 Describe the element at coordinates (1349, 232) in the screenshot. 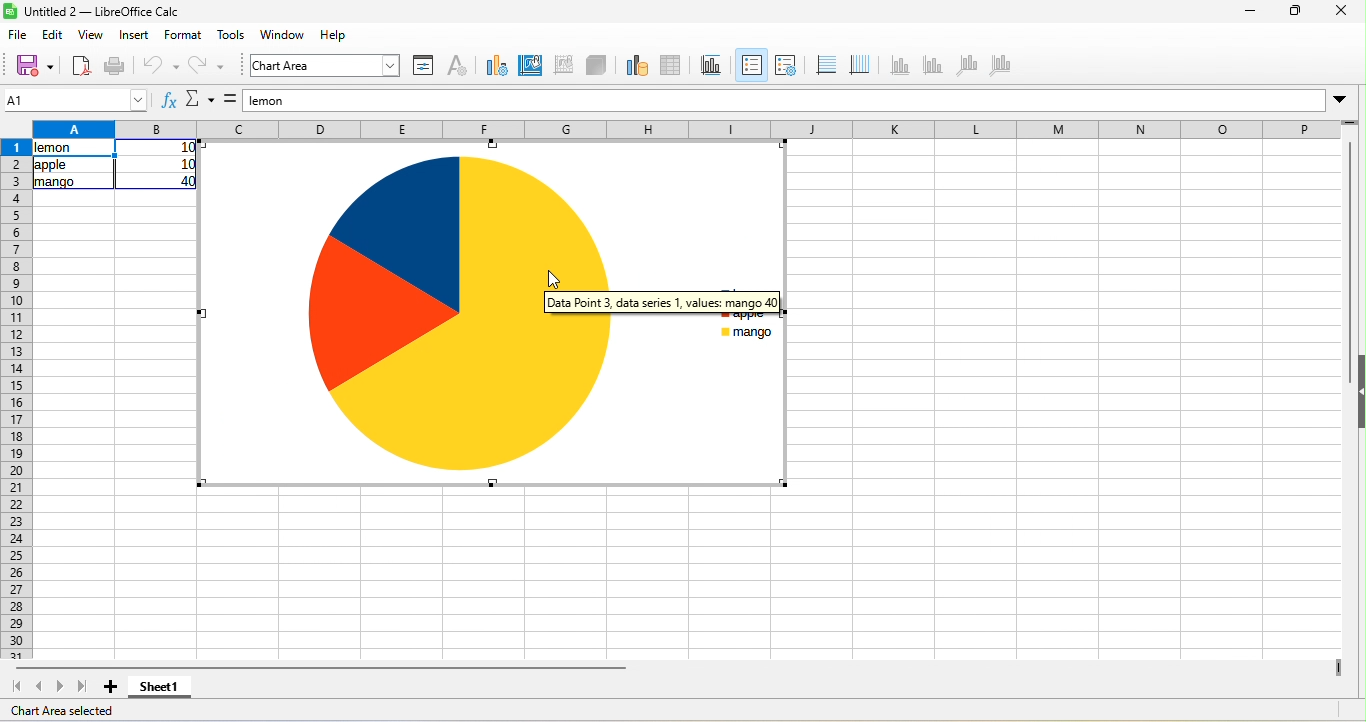

I see `vertical scroll bar` at that location.